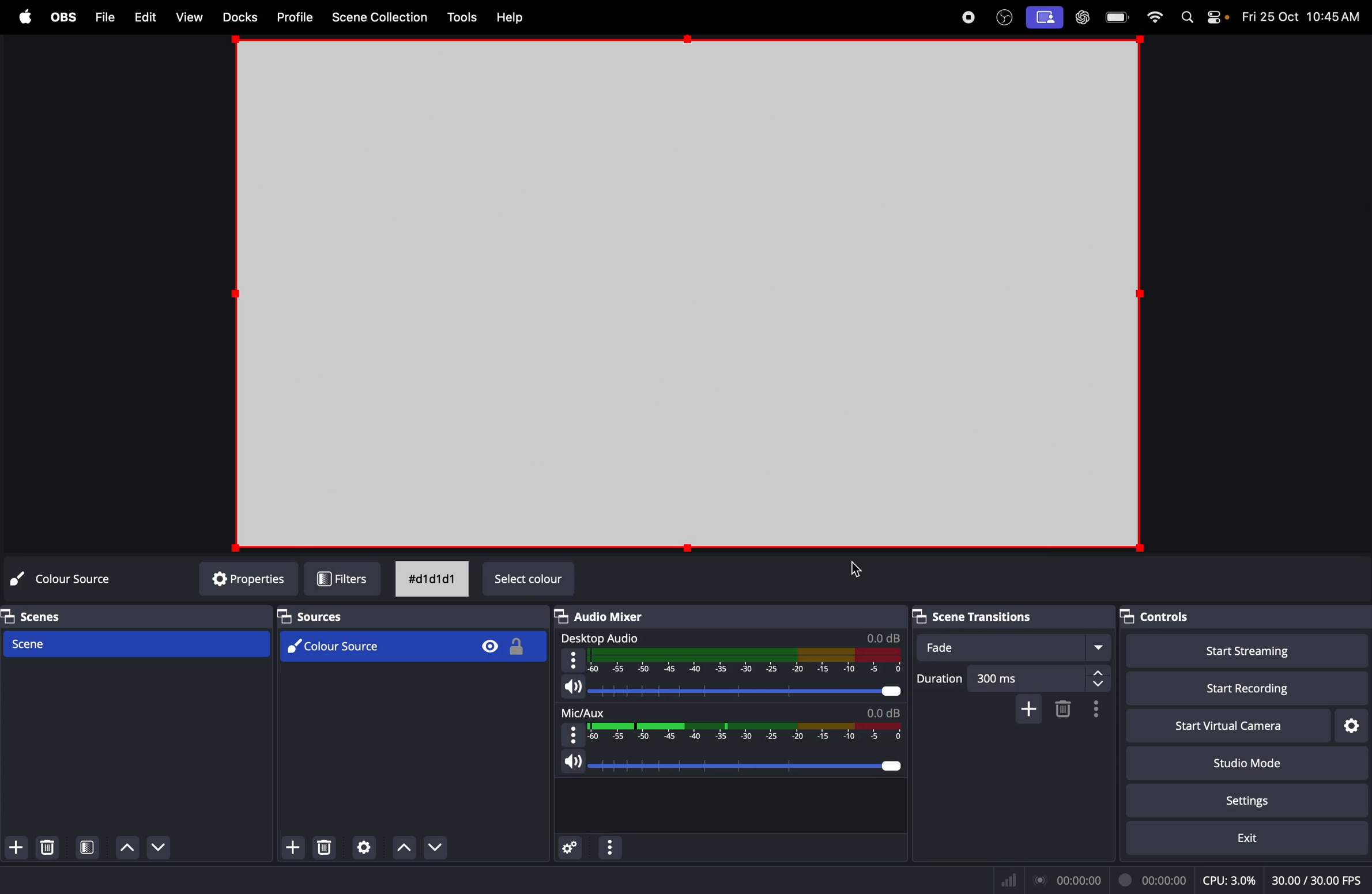 The image size is (1372, 894). Describe the element at coordinates (405, 849) in the screenshot. I see `drop uo` at that location.